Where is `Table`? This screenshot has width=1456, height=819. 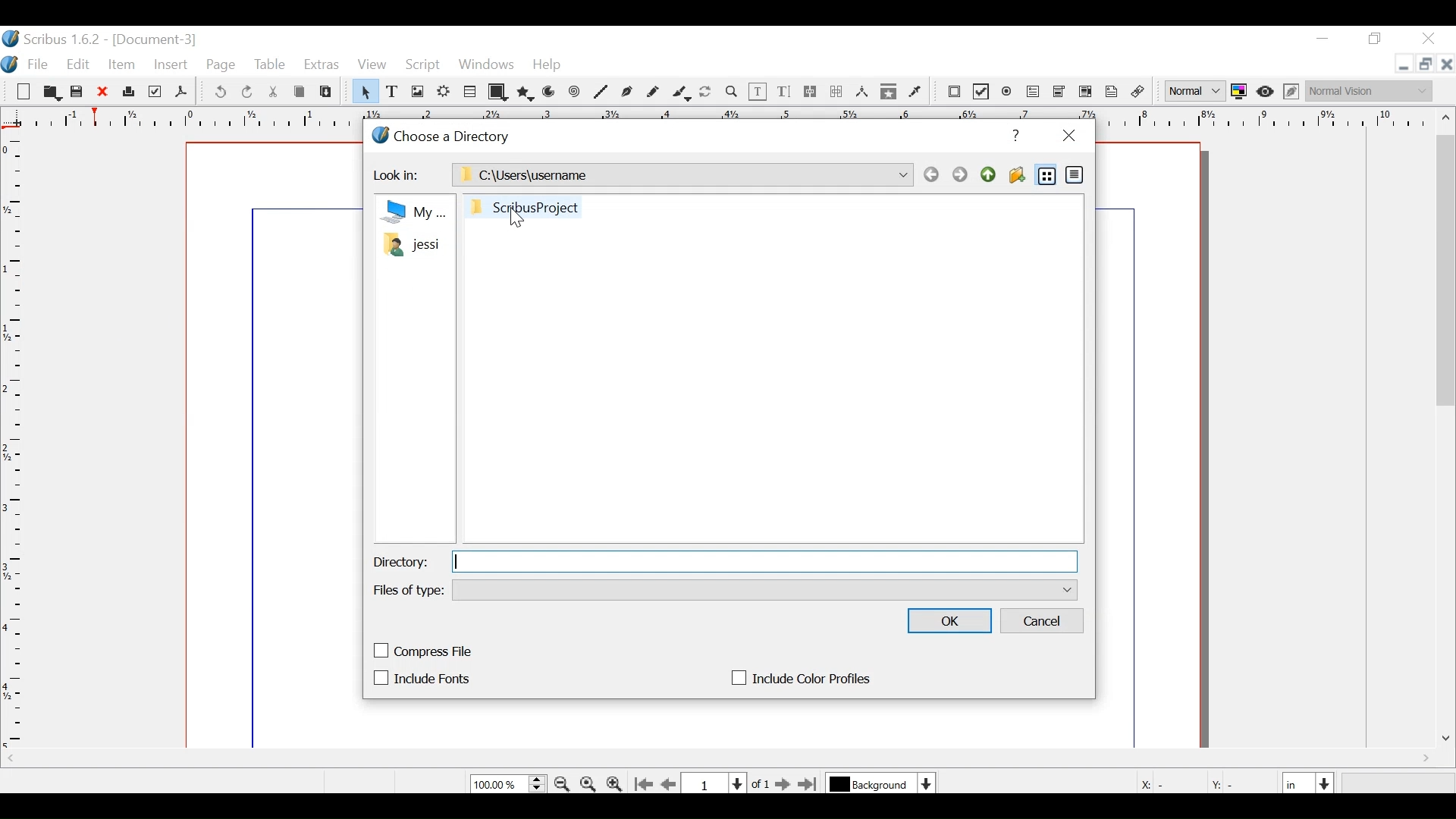
Table is located at coordinates (271, 66).